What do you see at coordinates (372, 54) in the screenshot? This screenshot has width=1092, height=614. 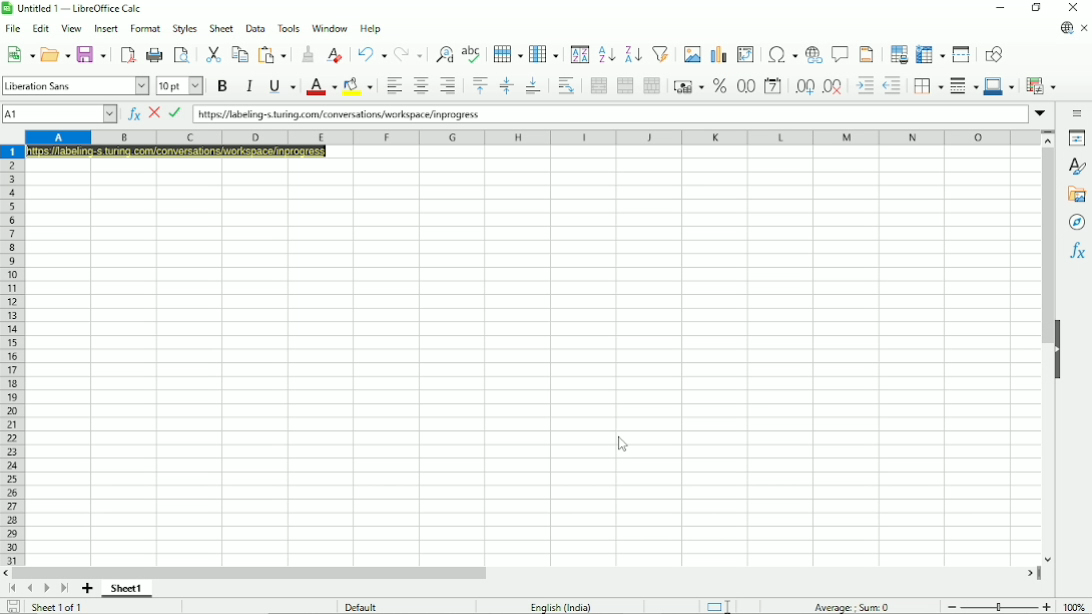 I see `Undo` at bounding box center [372, 54].